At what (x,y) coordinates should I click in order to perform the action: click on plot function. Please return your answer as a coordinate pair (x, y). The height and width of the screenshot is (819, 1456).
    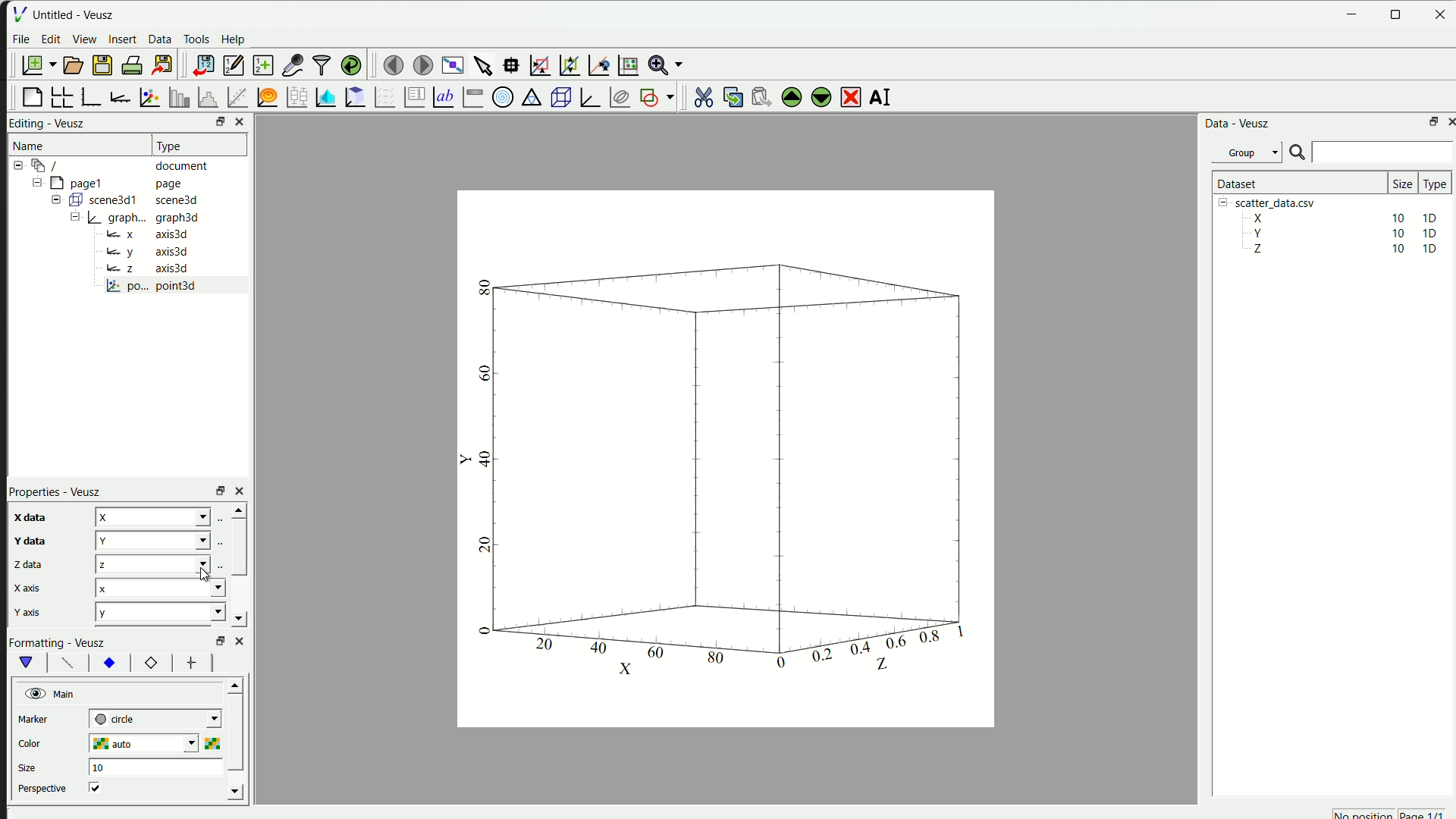
    Looking at the image, I should click on (265, 97).